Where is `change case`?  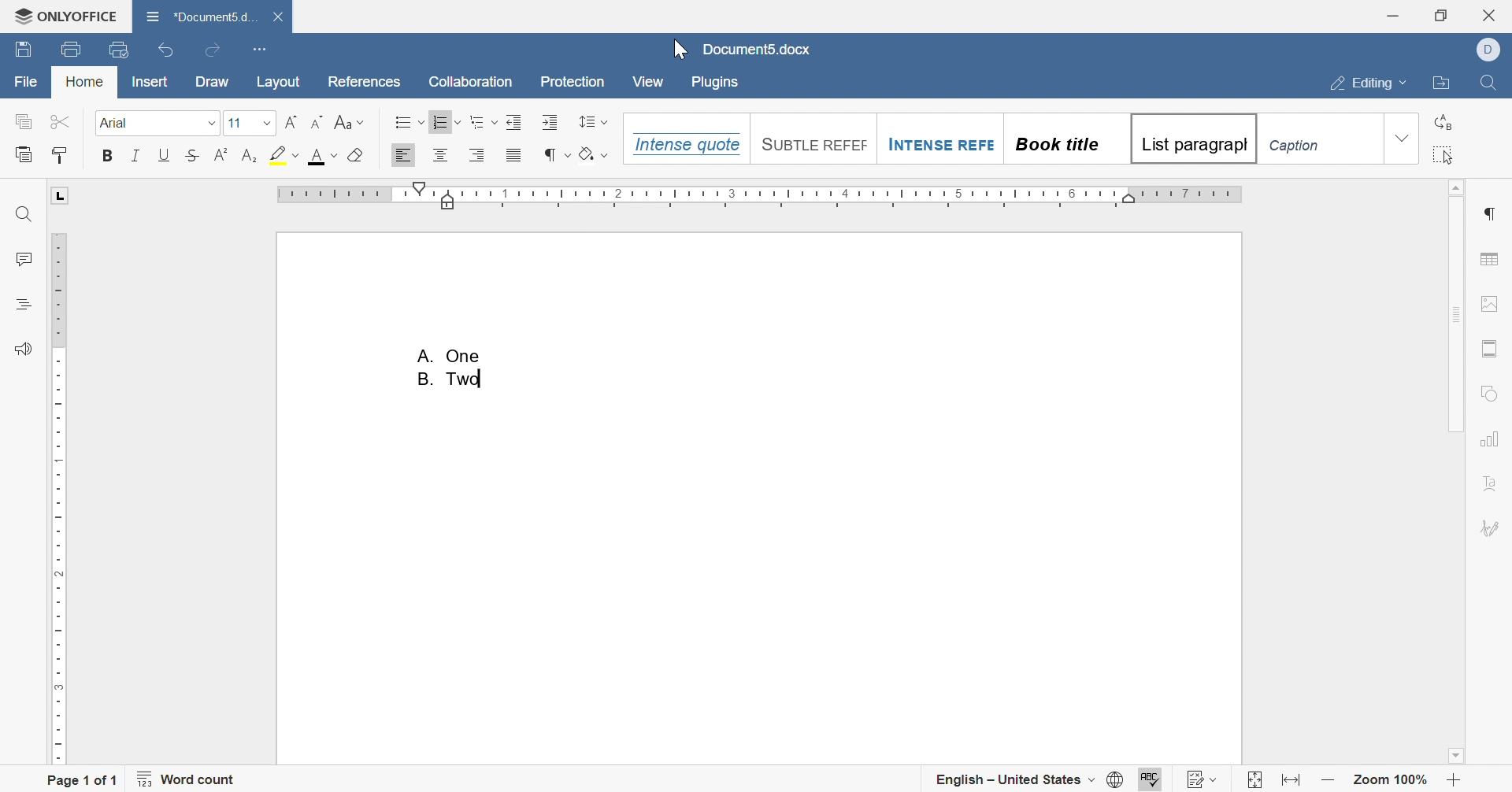 change case is located at coordinates (350, 123).